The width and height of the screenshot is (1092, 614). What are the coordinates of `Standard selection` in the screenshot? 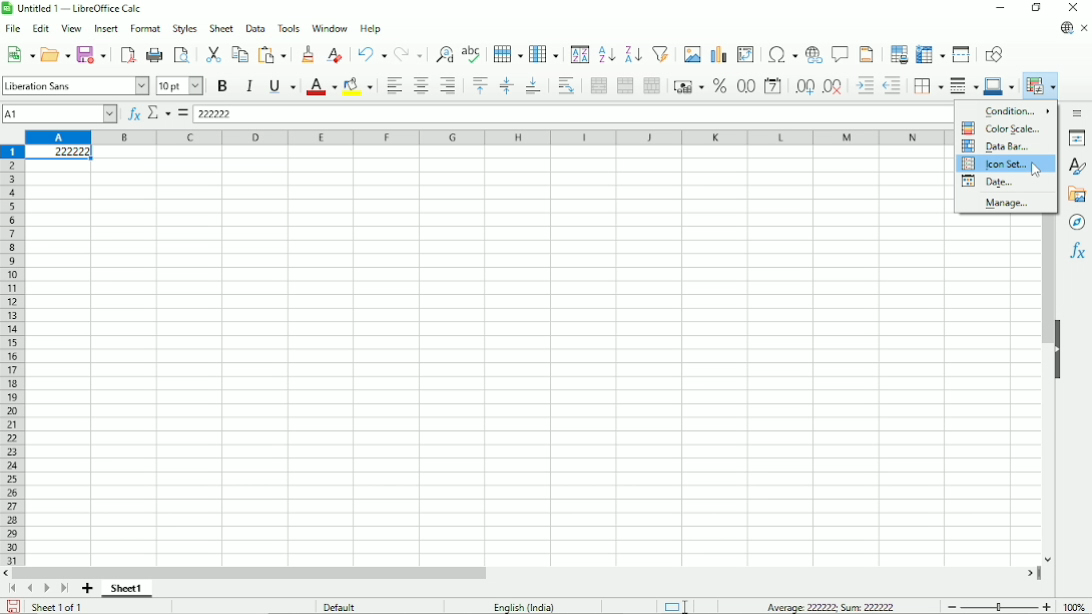 It's located at (675, 607).